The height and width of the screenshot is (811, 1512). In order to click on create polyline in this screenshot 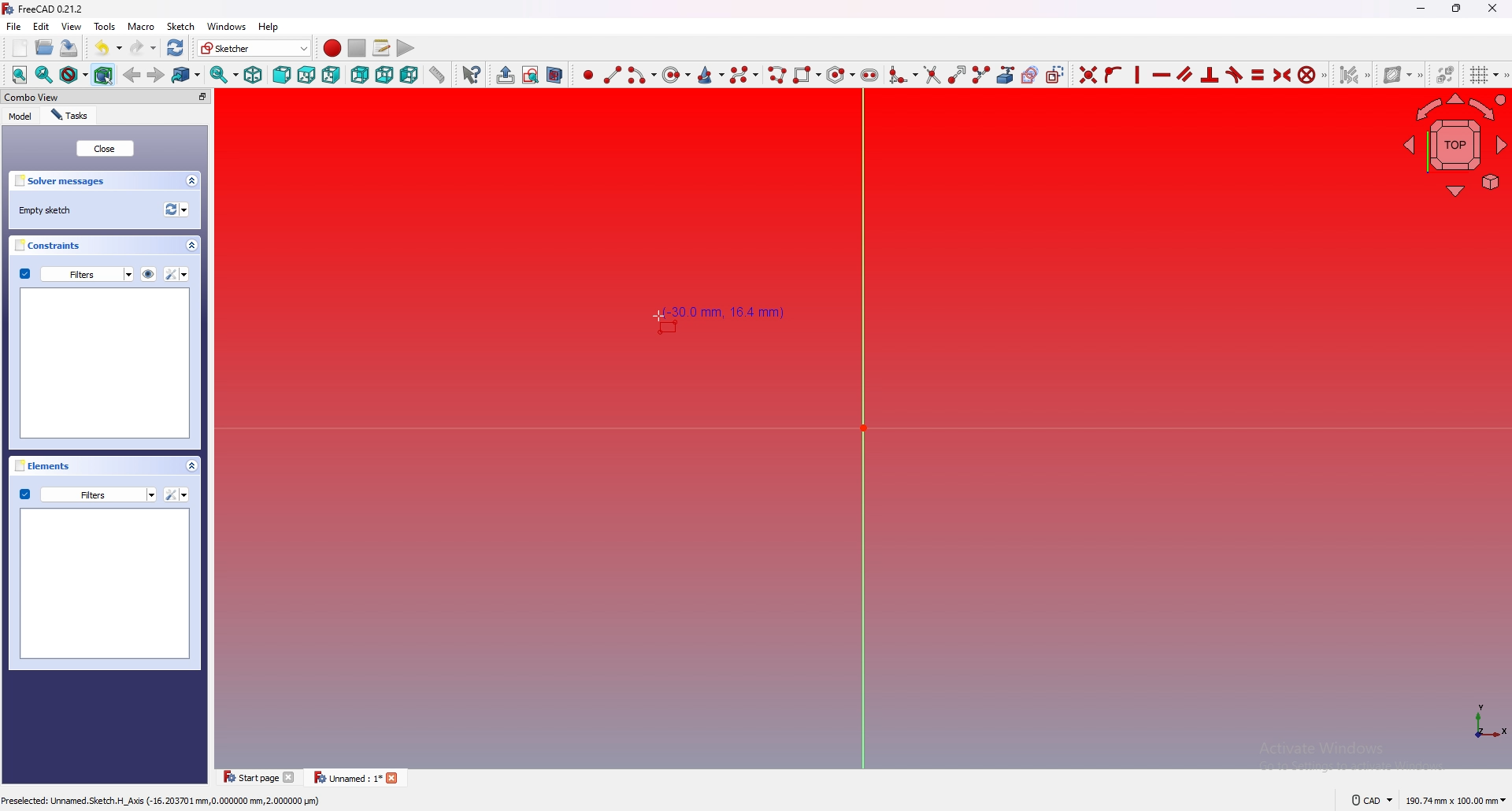, I will do `click(778, 75)`.